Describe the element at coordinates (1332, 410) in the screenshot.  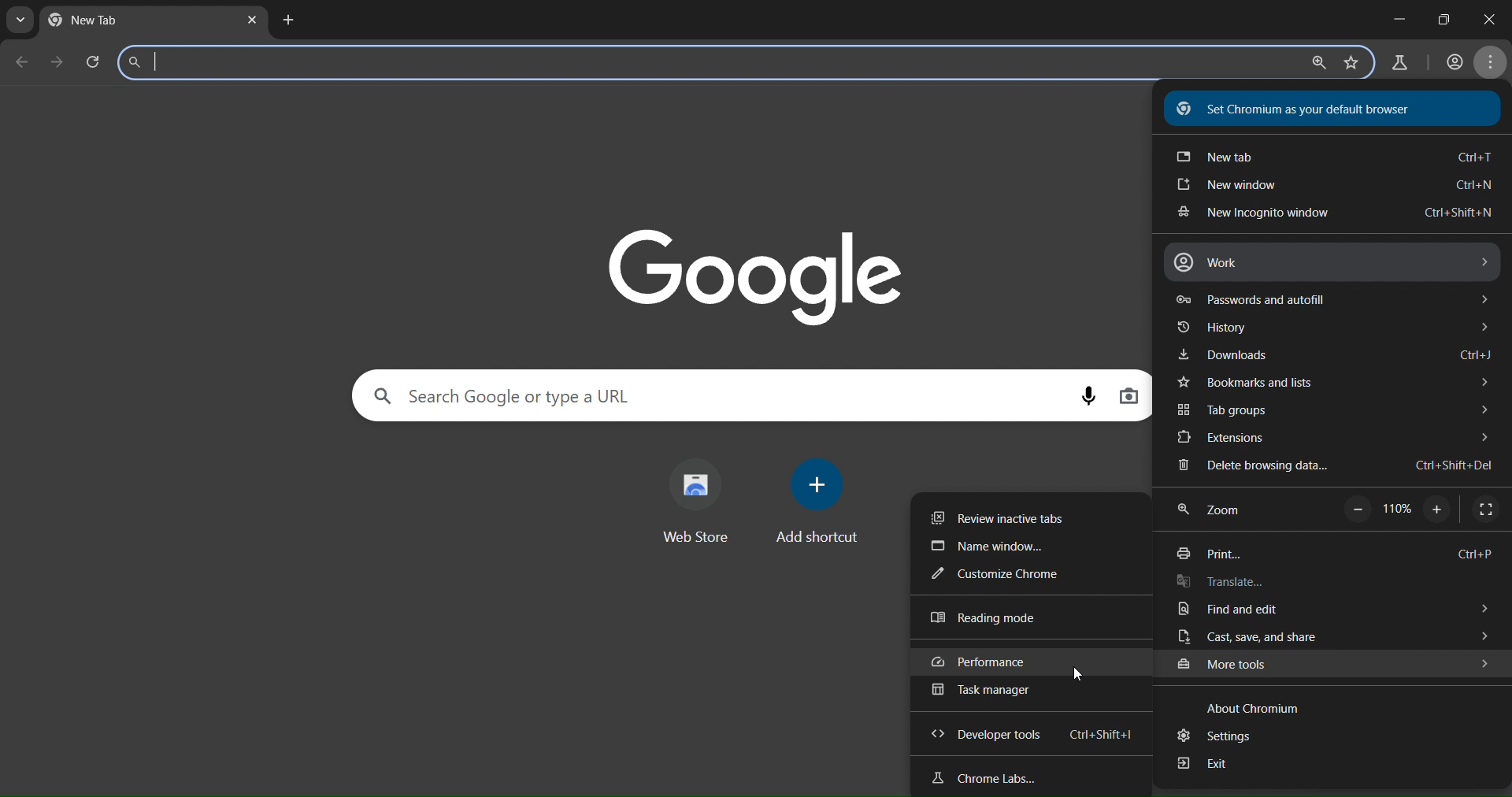
I see `tab groups` at that location.